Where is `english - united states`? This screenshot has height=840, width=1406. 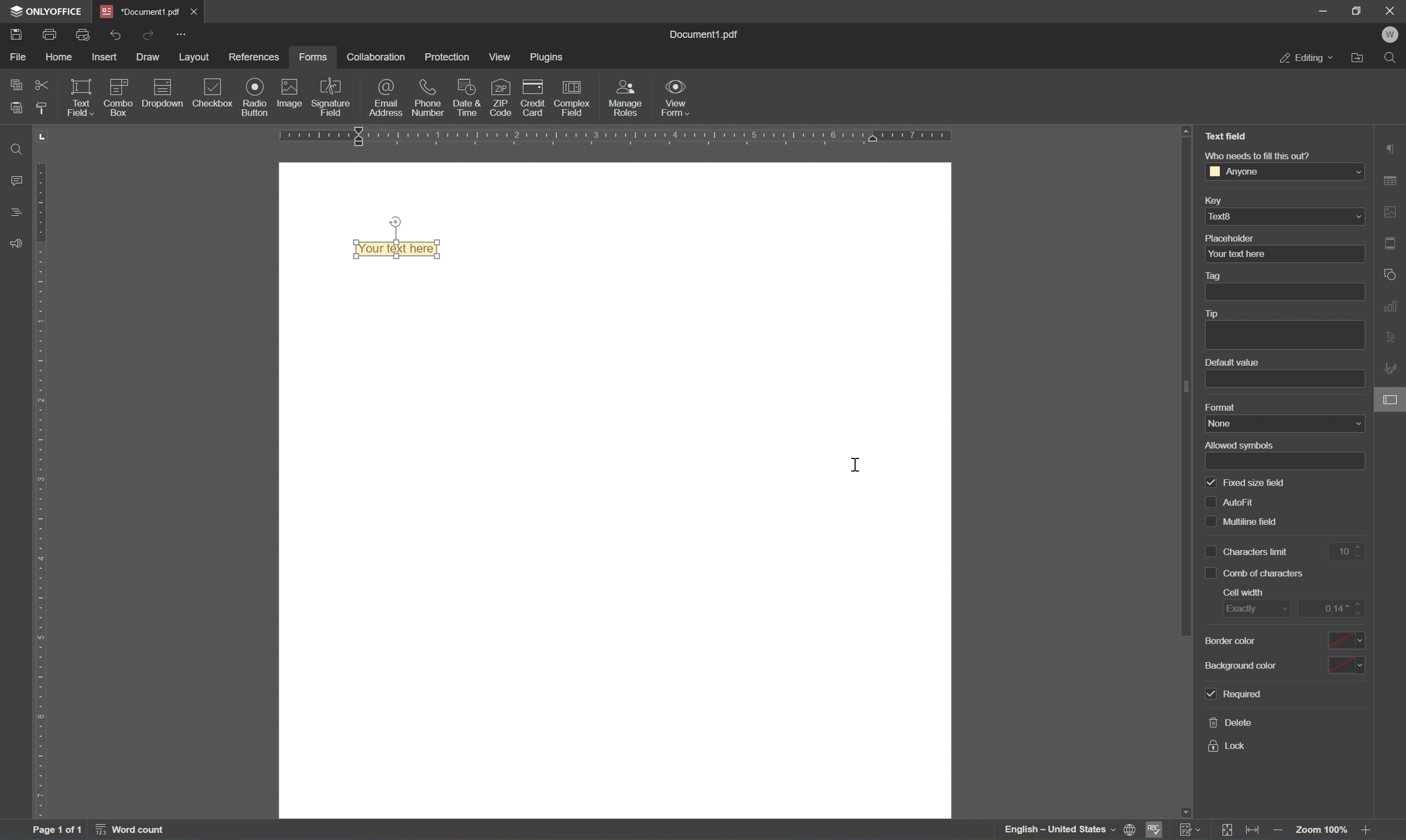
english - united states is located at coordinates (1059, 831).